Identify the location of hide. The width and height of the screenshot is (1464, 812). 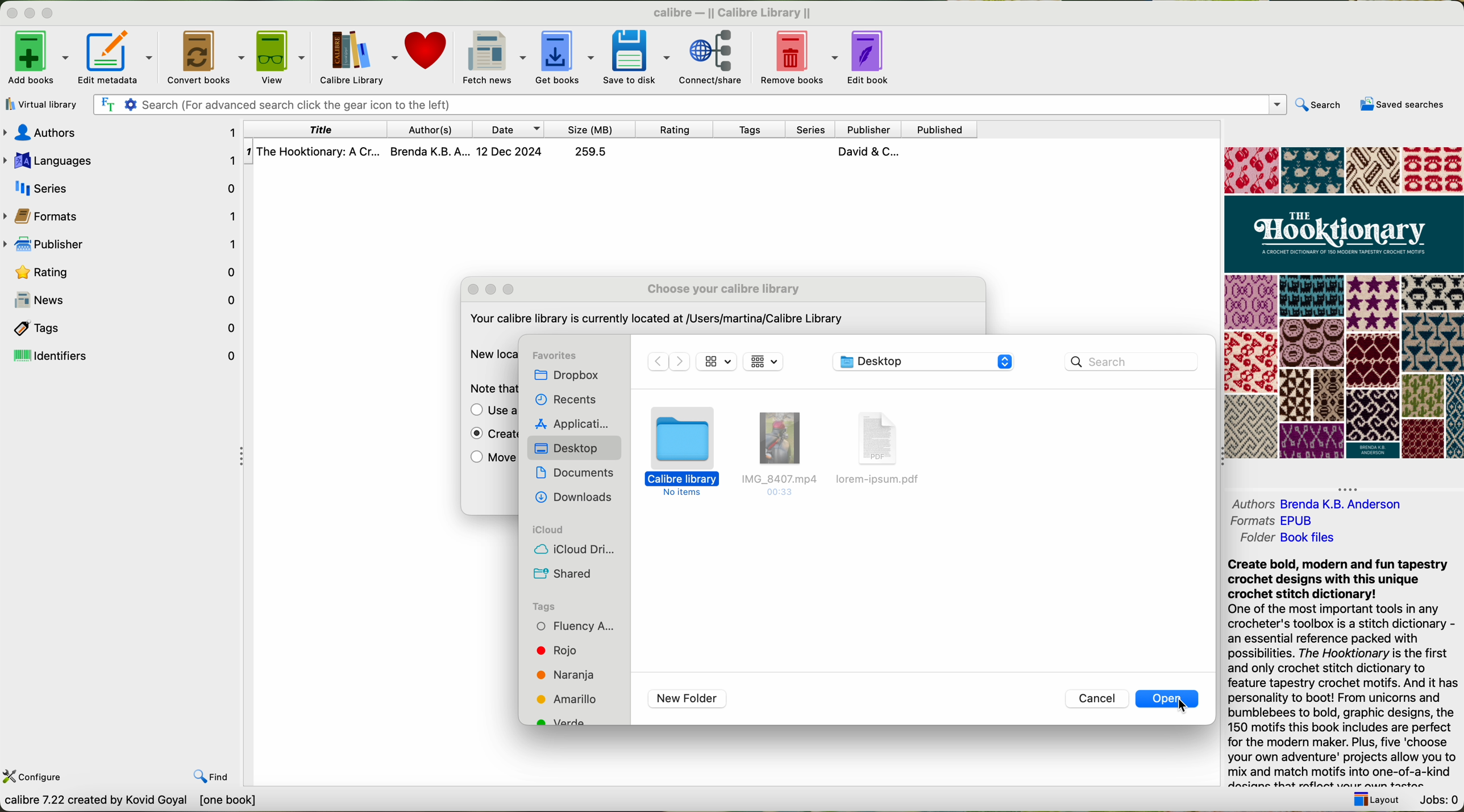
(1349, 487).